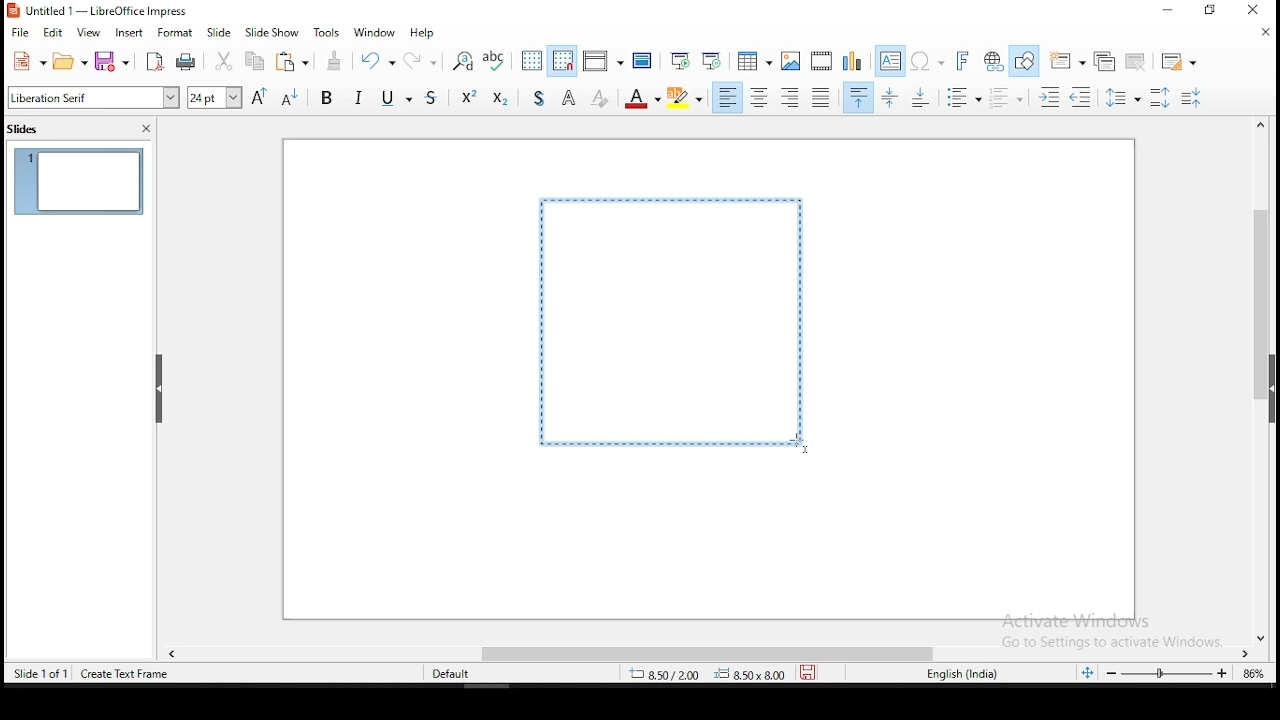  What do you see at coordinates (88, 33) in the screenshot?
I see `view` at bounding box center [88, 33].